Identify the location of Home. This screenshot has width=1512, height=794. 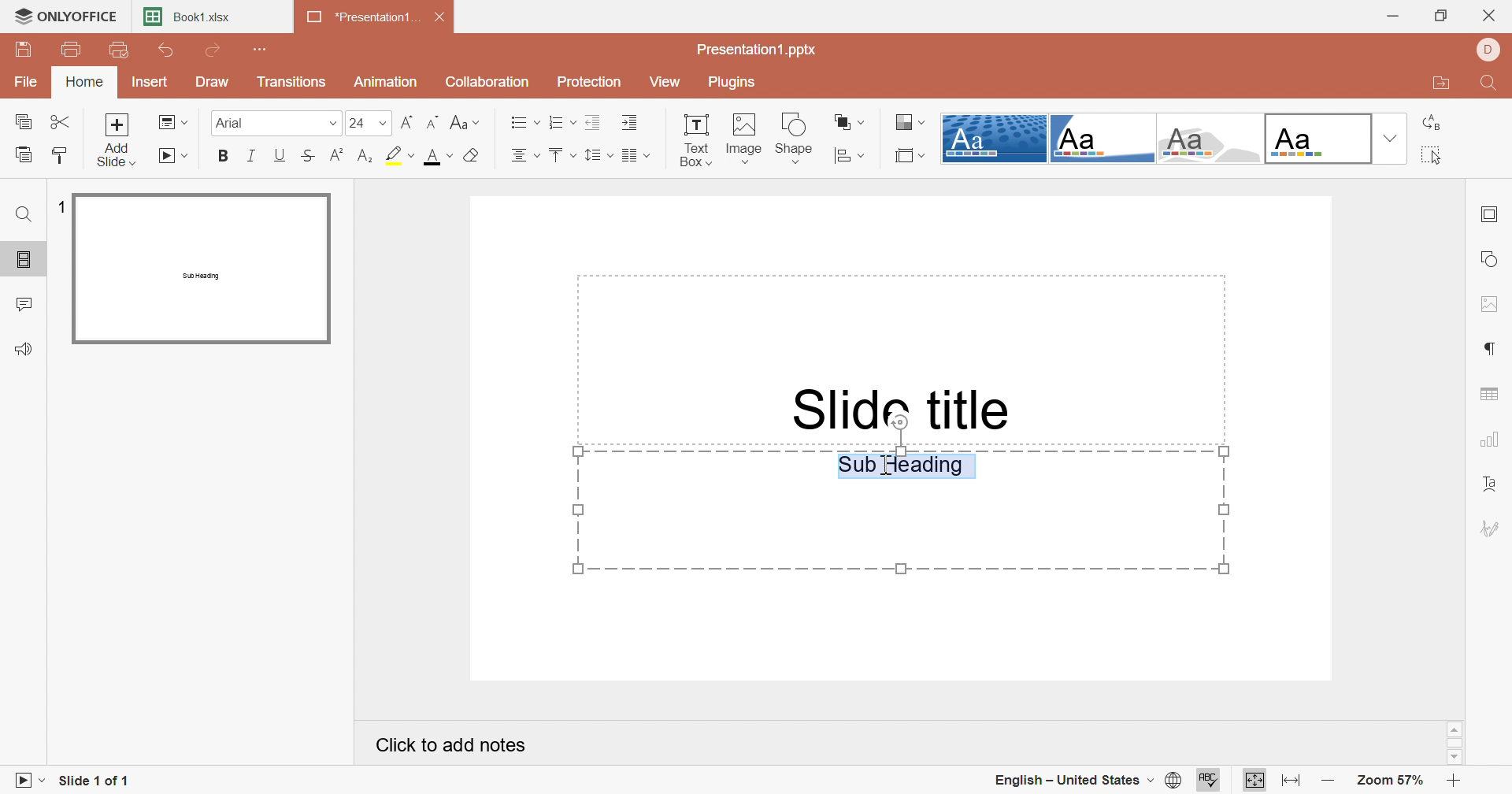
(84, 81).